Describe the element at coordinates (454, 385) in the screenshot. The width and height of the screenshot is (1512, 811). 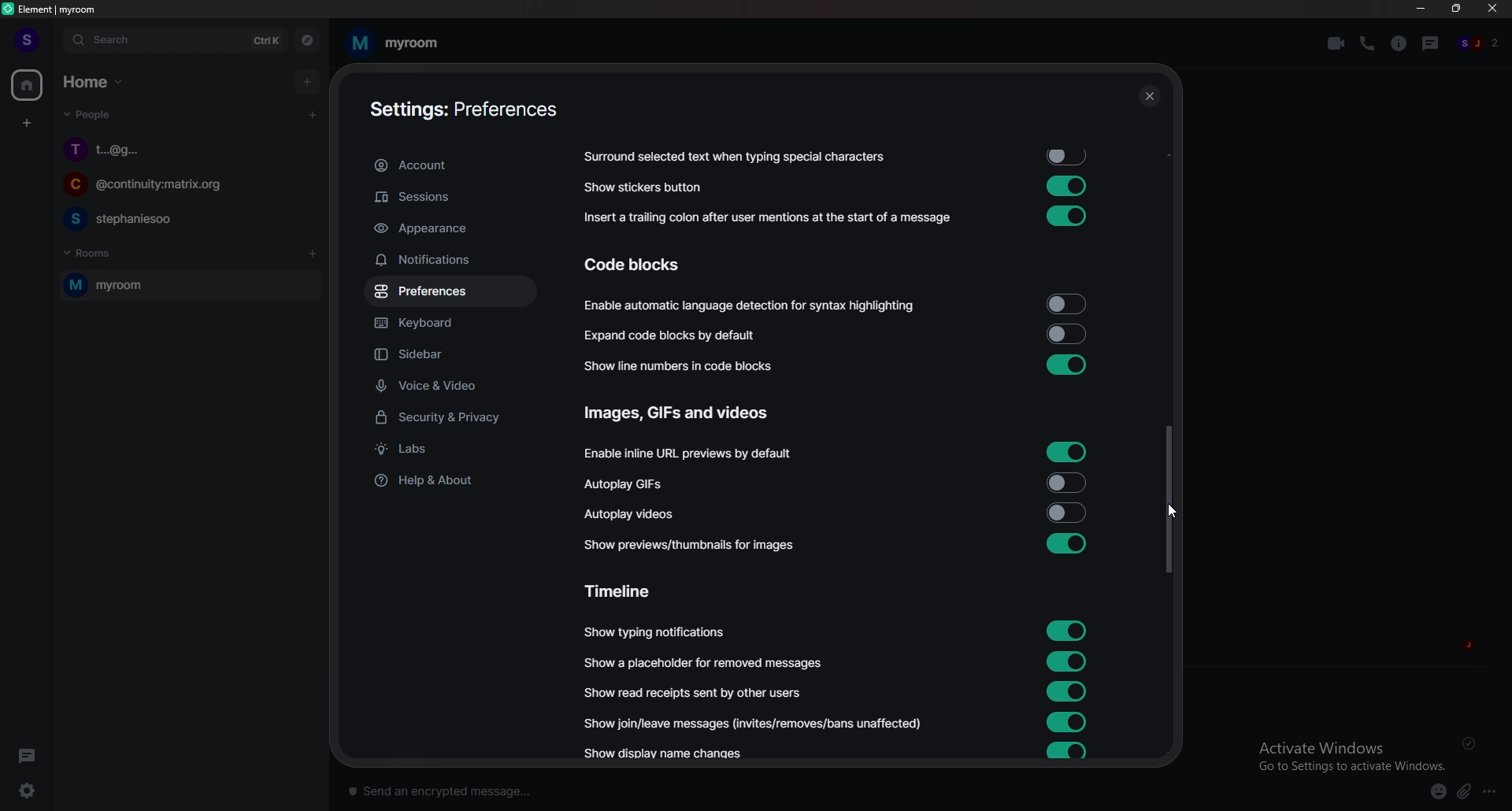
I see `voice and video` at that location.